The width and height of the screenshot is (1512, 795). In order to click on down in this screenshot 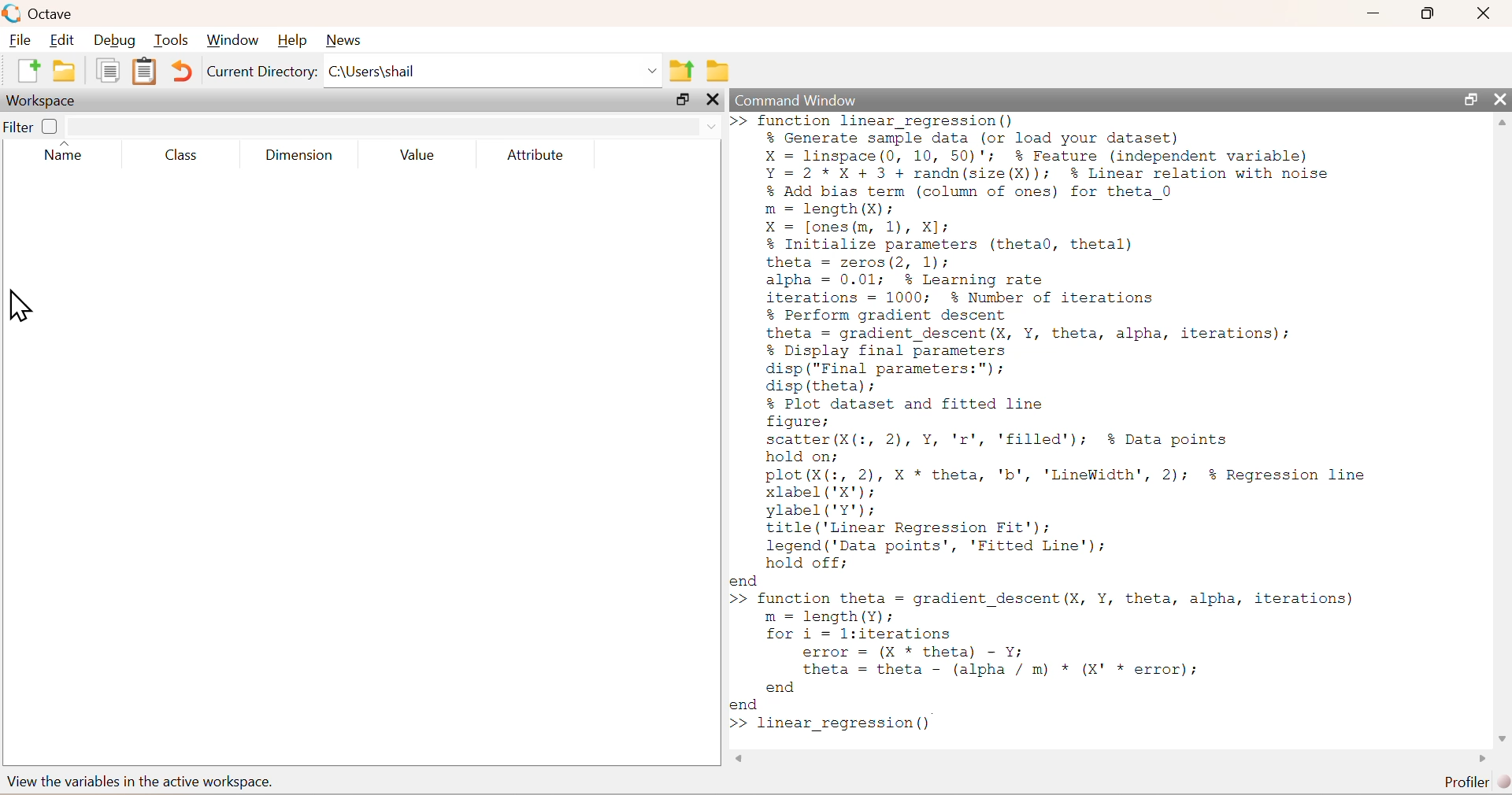, I will do `click(712, 127)`.